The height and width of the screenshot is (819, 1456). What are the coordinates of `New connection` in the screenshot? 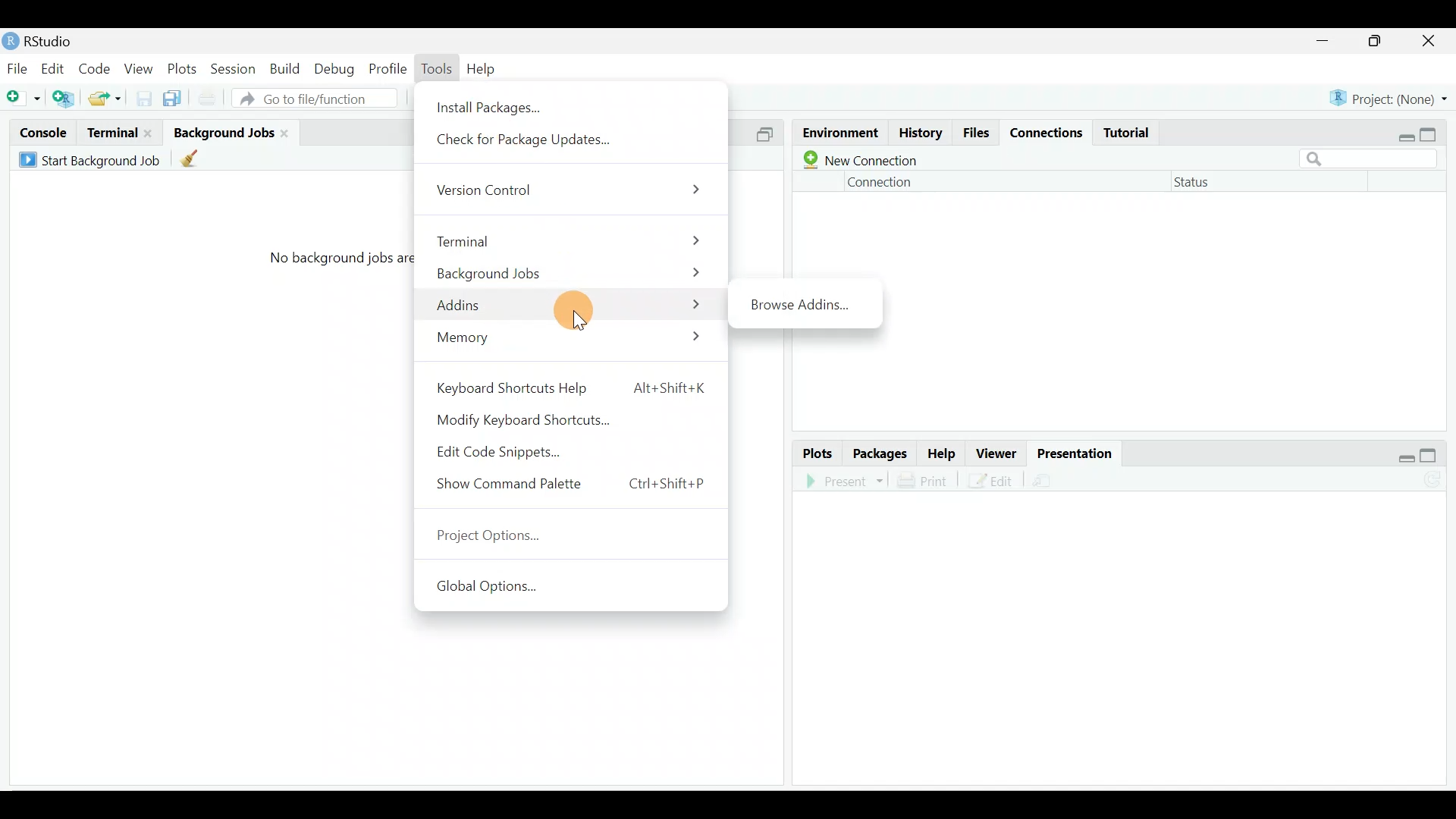 It's located at (861, 157).